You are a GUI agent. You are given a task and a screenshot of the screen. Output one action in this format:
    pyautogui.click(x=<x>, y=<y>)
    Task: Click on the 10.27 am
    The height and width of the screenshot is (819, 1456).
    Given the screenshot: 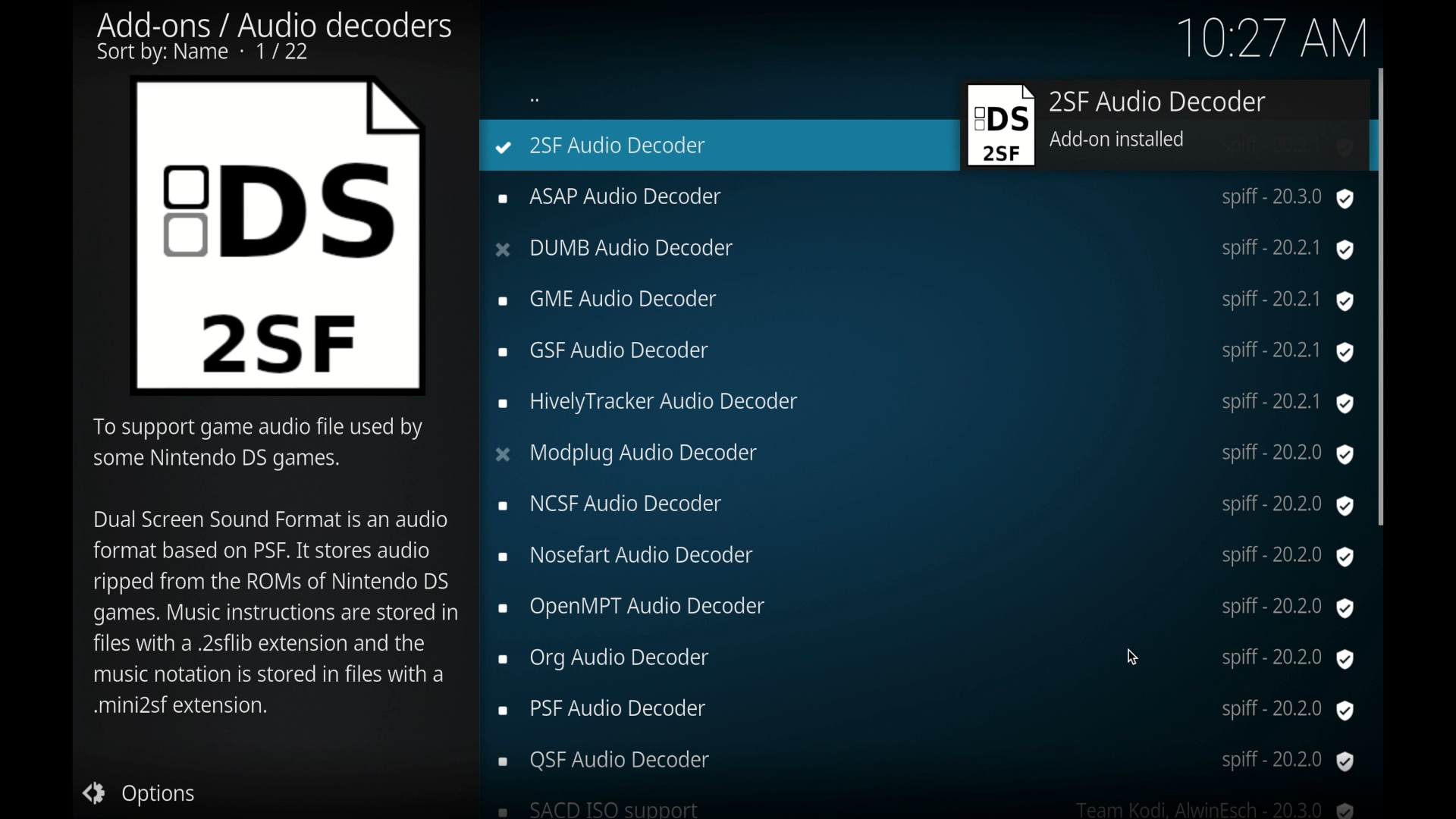 What is the action you would take?
    pyautogui.click(x=1268, y=36)
    